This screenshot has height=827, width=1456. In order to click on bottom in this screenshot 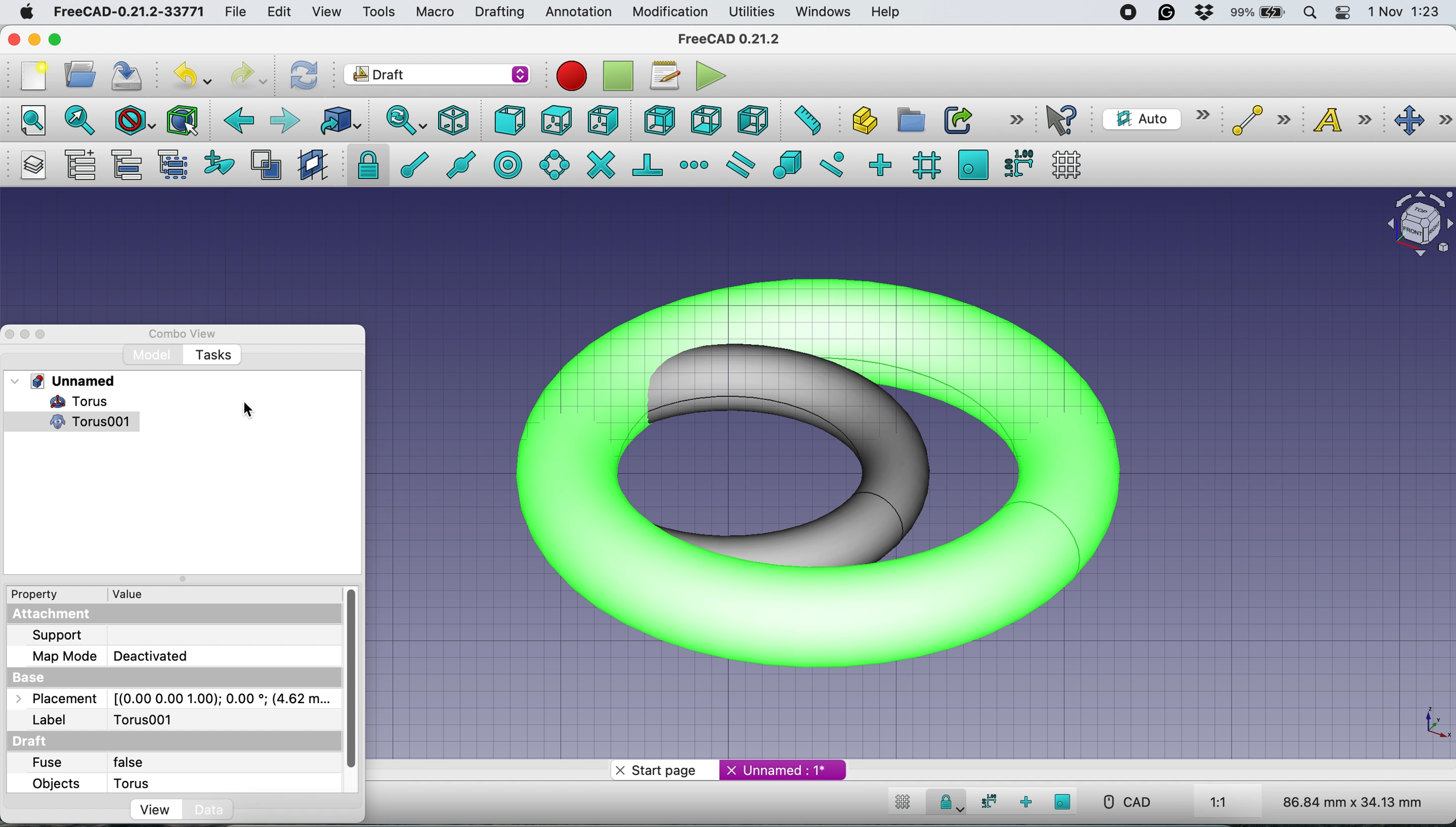, I will do `click(708, 119)`.